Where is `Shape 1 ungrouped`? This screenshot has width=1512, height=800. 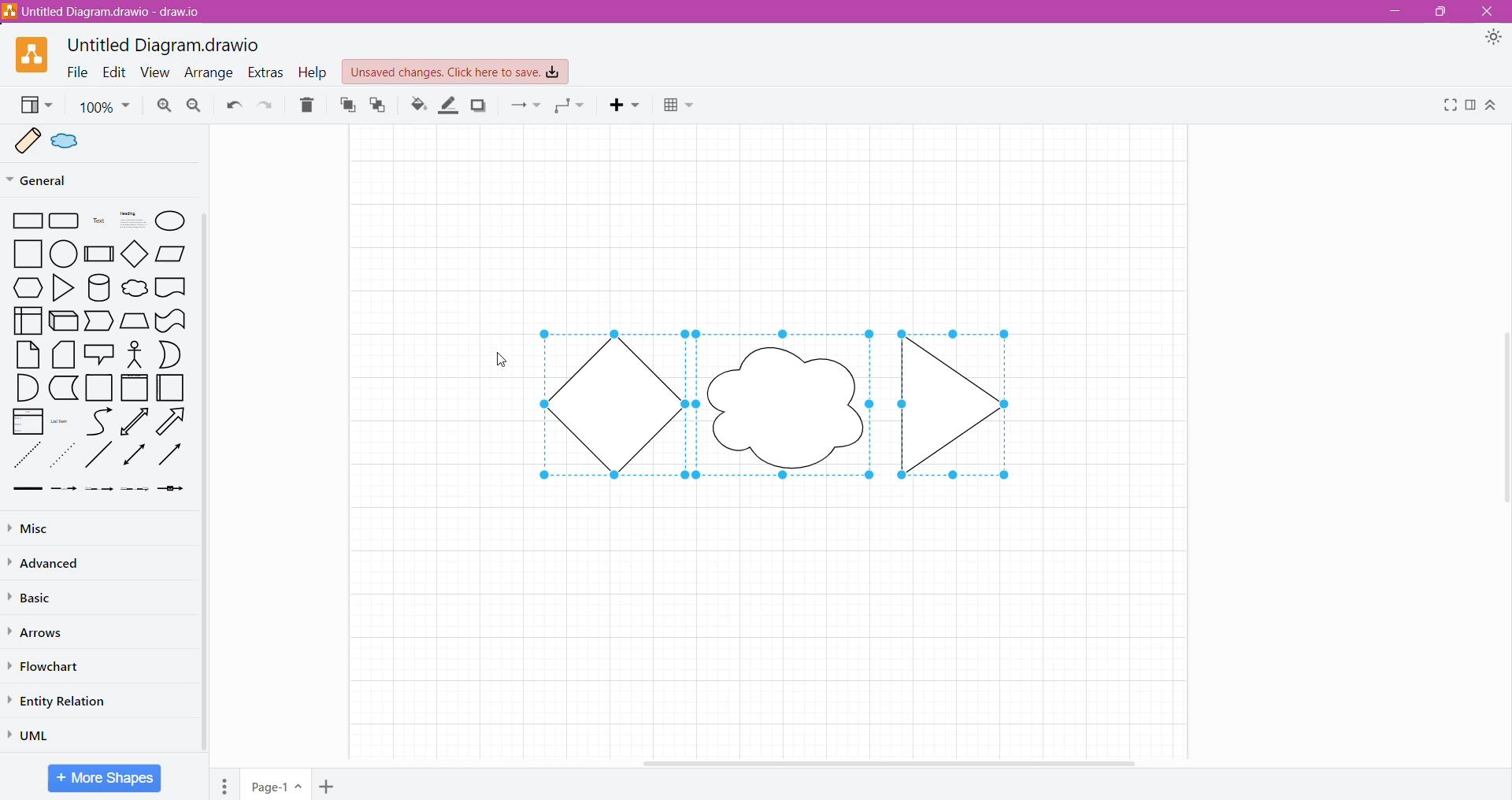 Shape 1 ungrouped is located at coordinates (610, 404).